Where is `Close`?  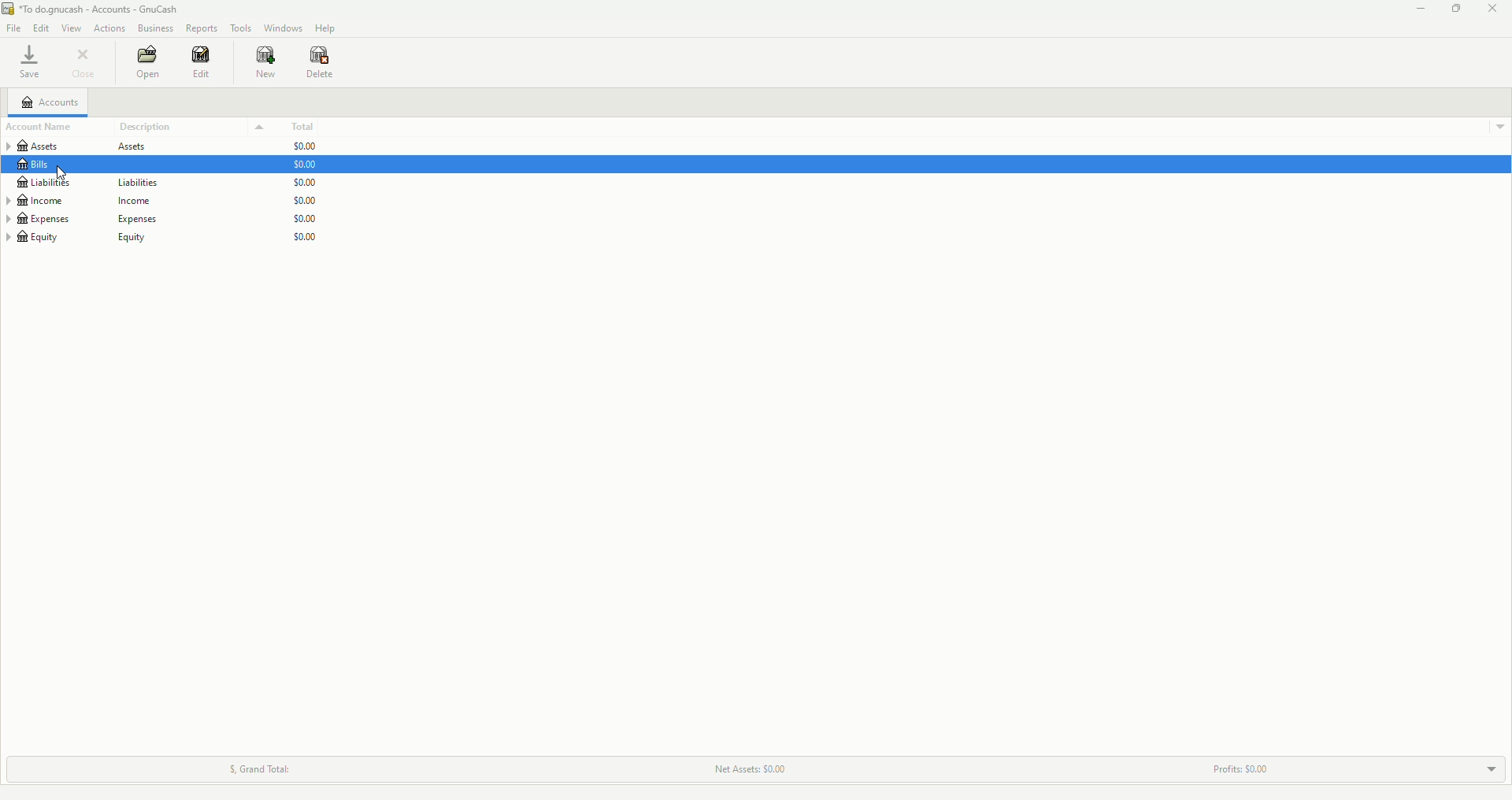 Close is located at coordinates (84, 62).